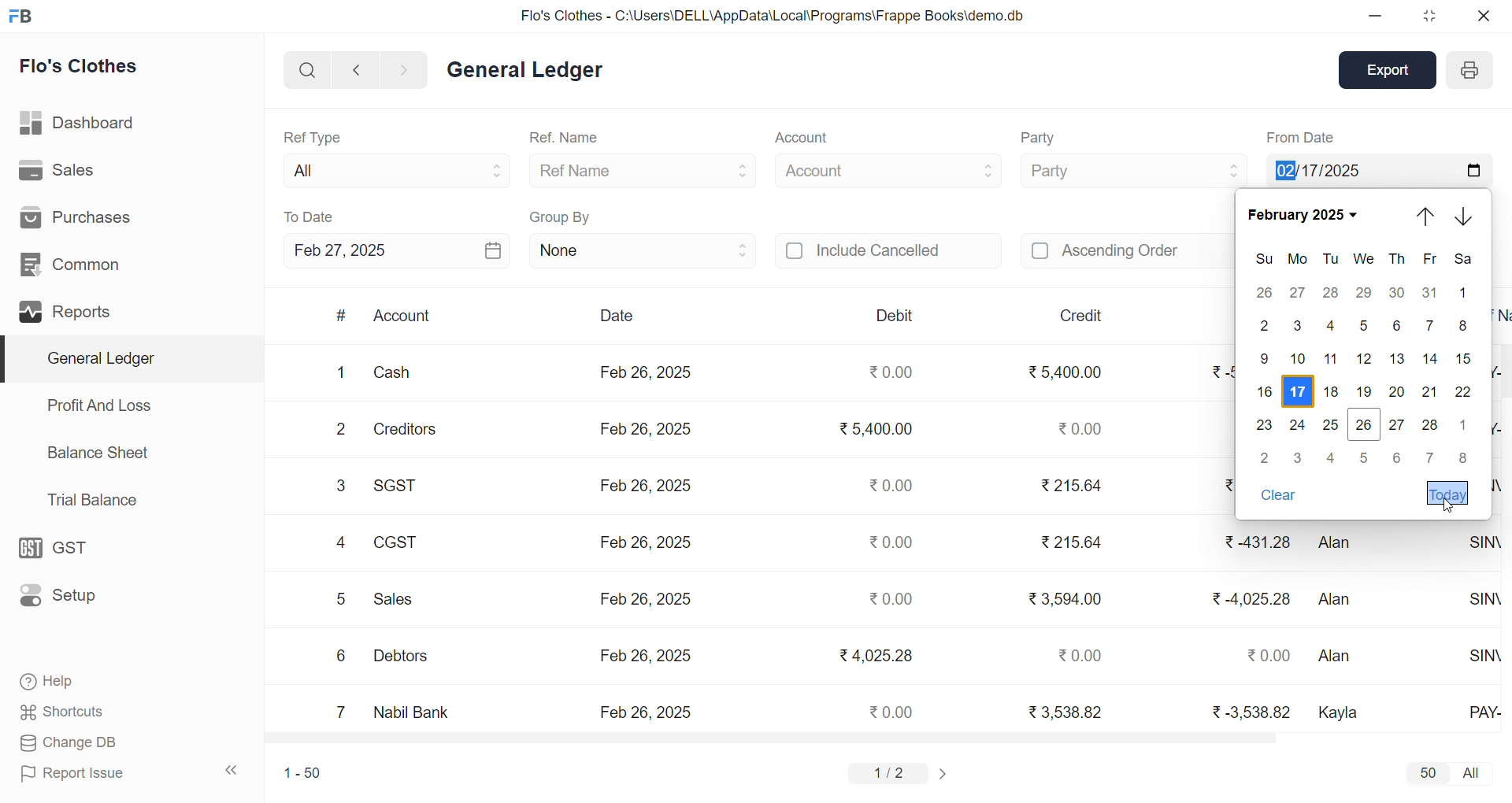  I want to click on Trial Balance, so click(94, 501).